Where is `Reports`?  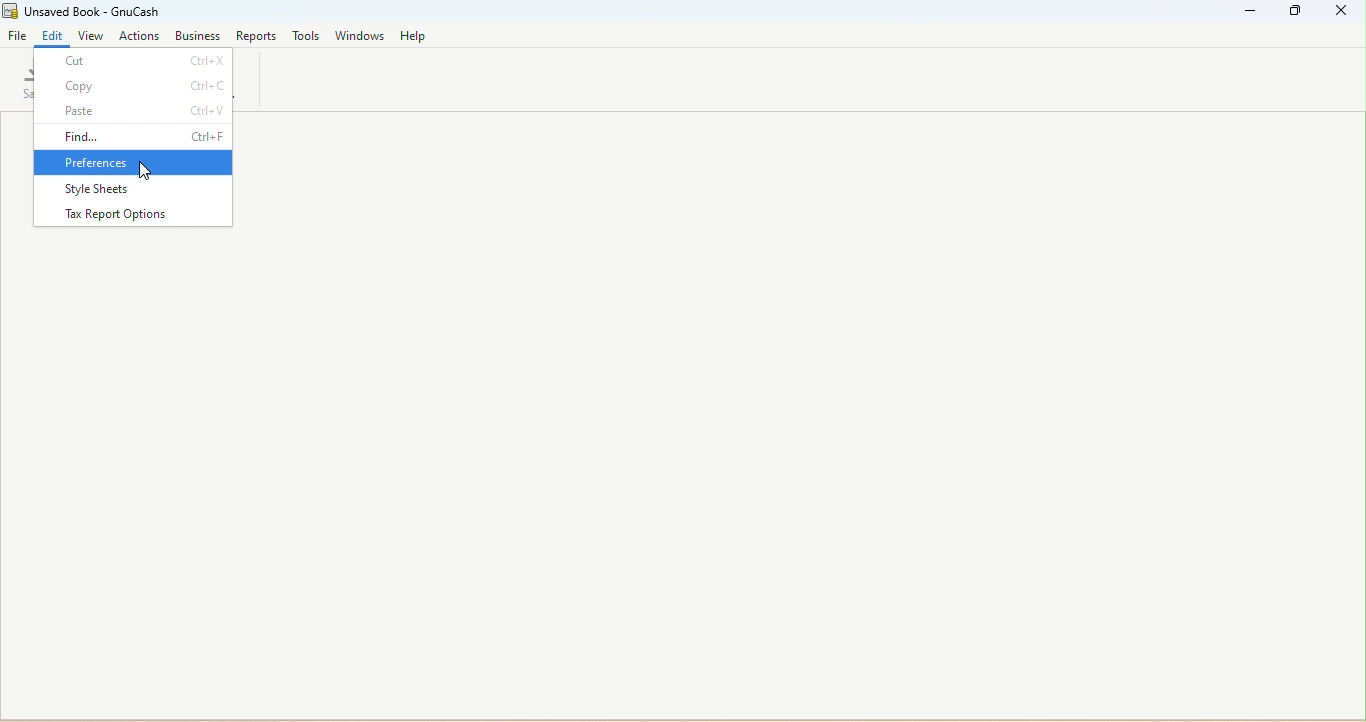 Reports is located at coordinates (256, 37).